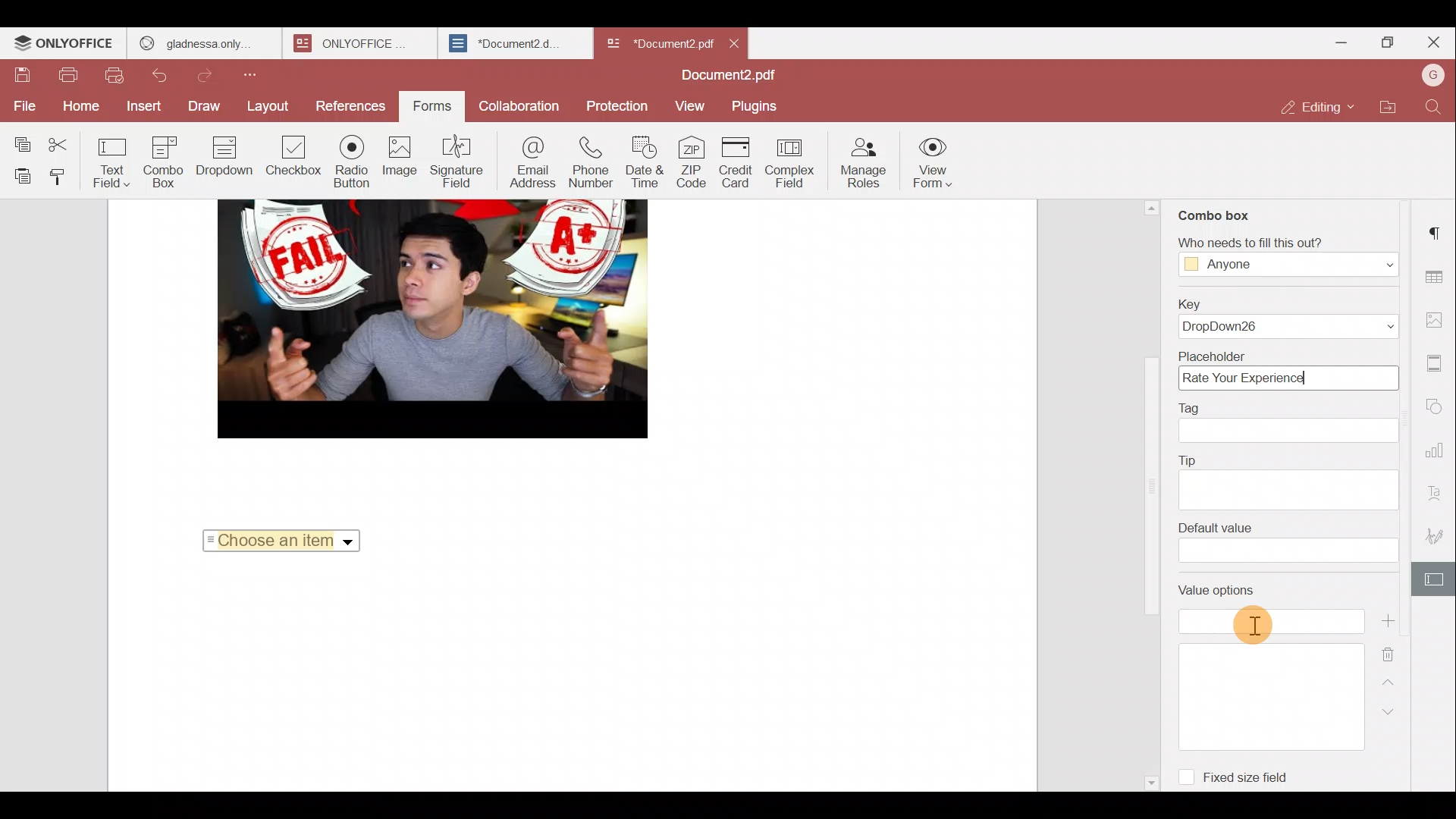  What do you see at coordinates (591, 164) in the screenshot?
I see `Phone number` at bounding box center [591, 164].